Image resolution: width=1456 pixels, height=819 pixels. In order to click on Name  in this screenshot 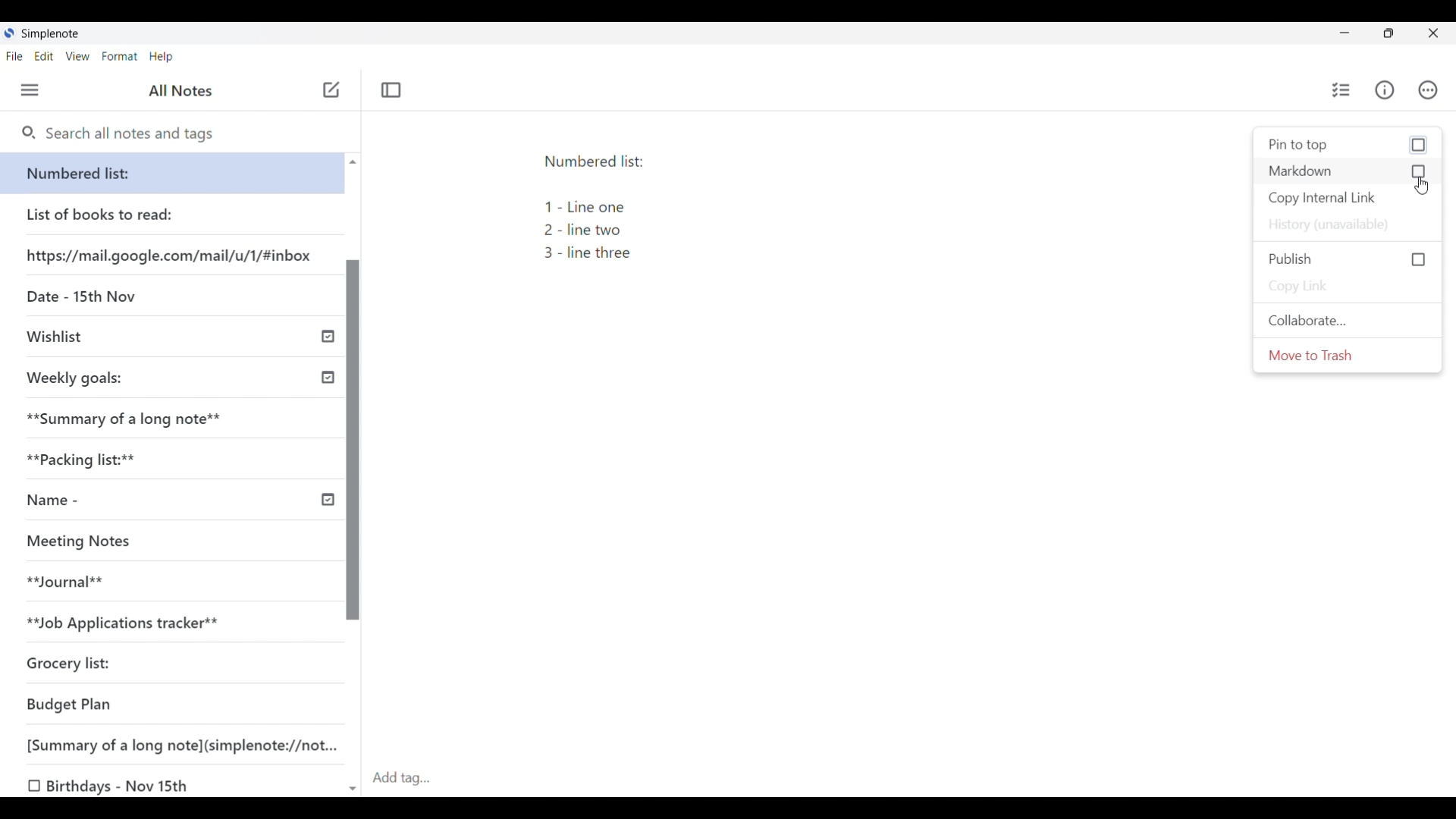, I will do `click(83, 506)`.